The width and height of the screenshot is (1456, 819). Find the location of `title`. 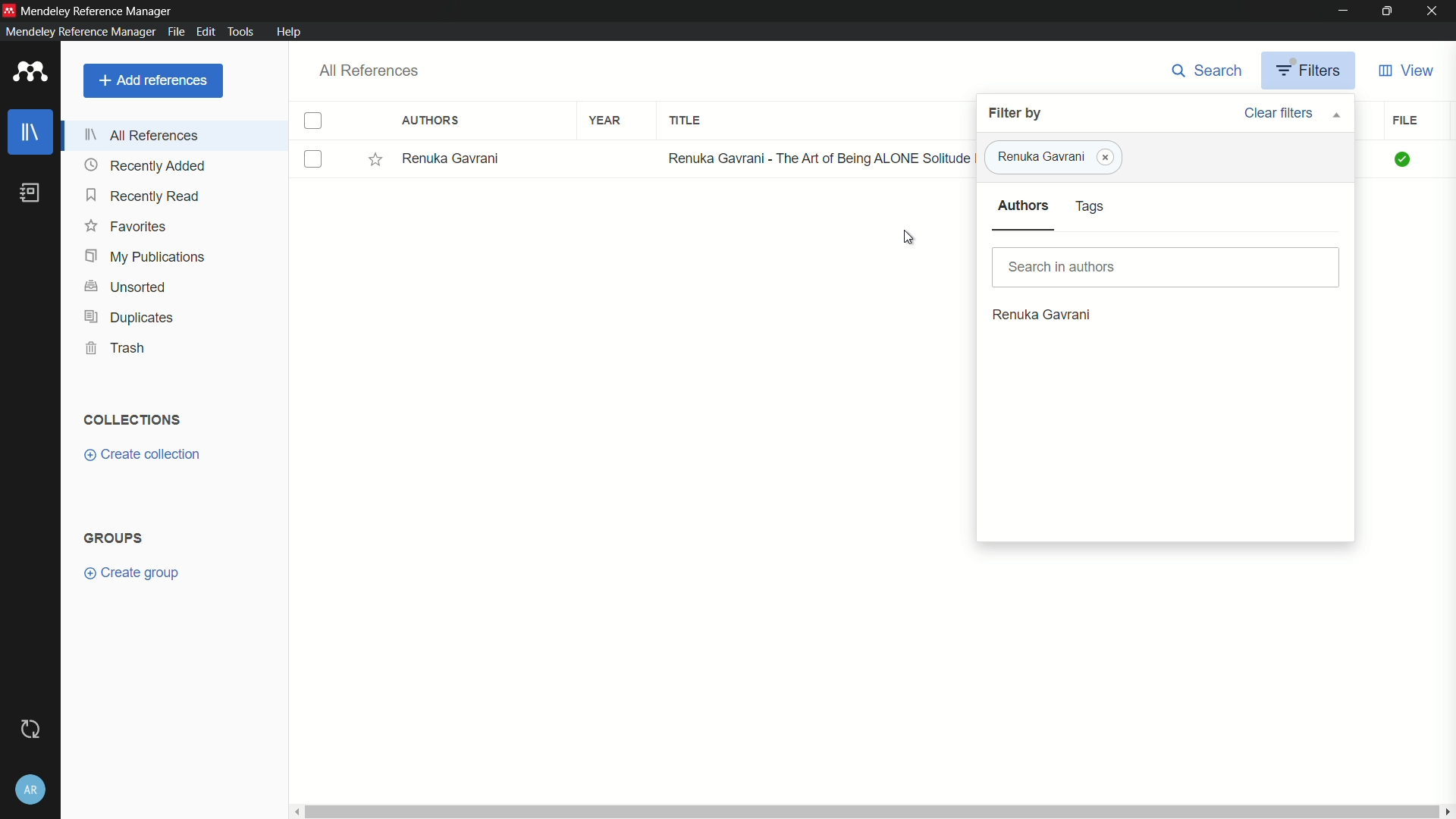

title is located at coordinates (685, 120).